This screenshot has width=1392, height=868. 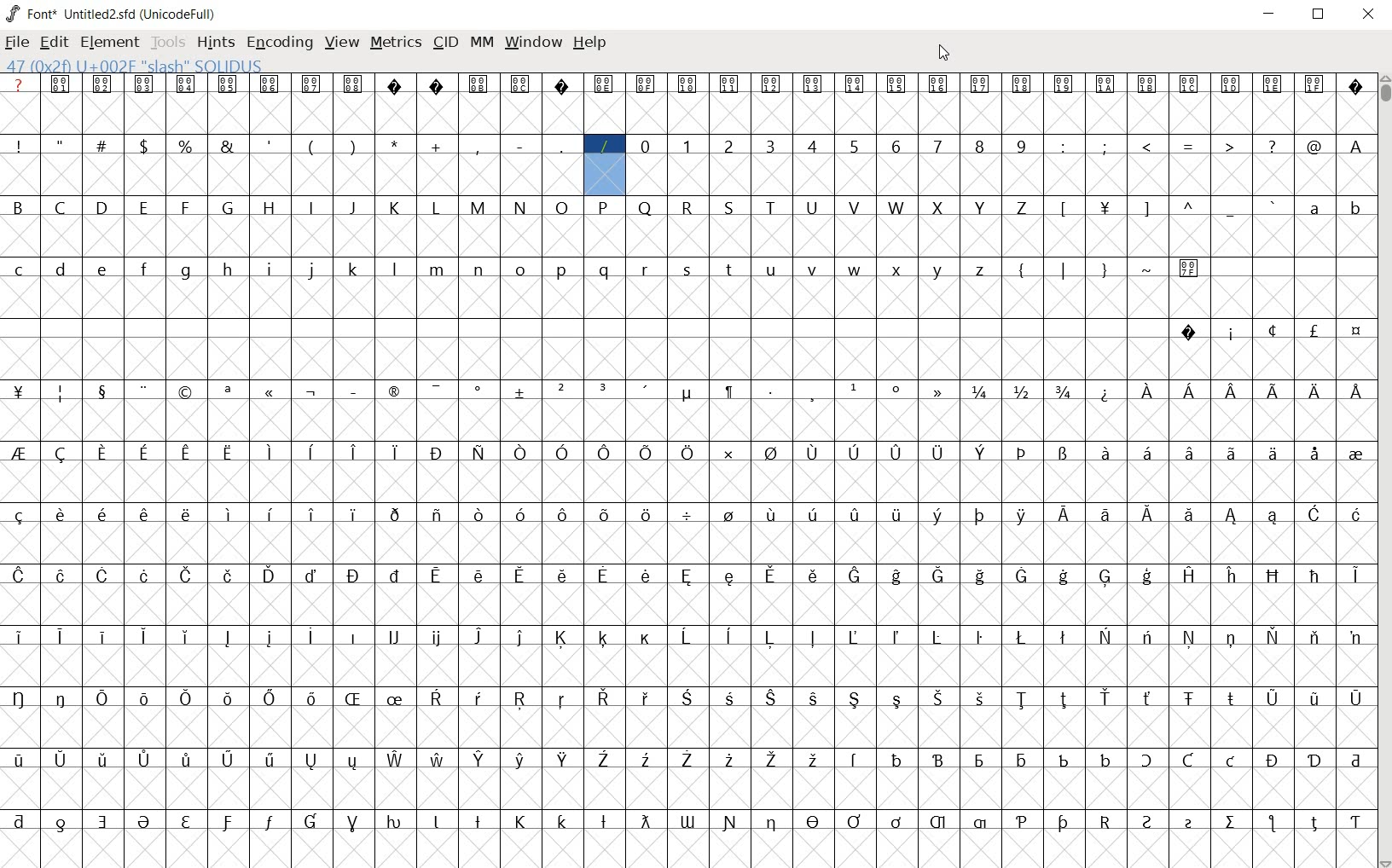 I want to click on glyph, so click(x=61, y=759).